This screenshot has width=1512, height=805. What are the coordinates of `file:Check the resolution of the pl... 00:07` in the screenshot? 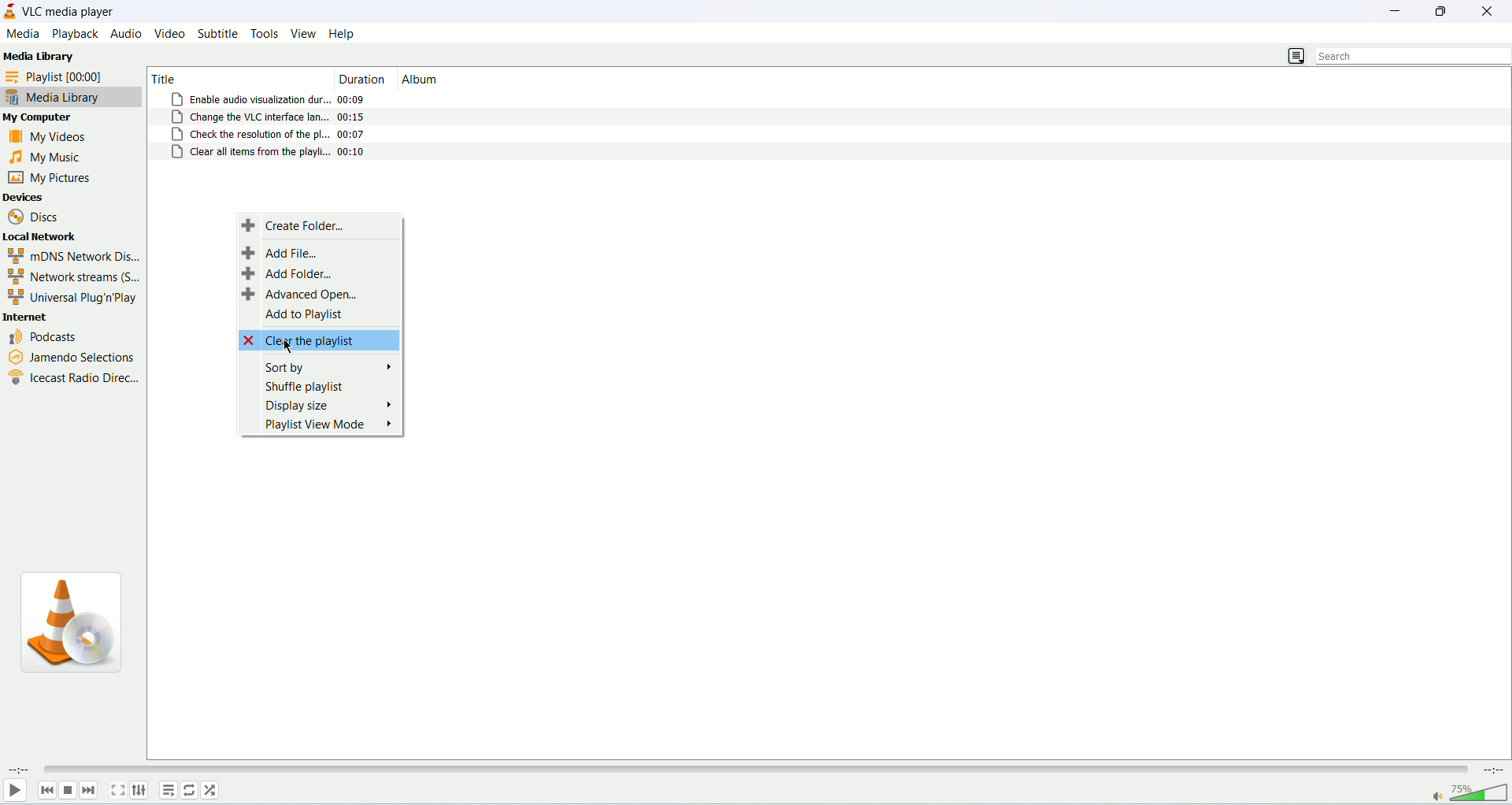 It's located at (271, 134).